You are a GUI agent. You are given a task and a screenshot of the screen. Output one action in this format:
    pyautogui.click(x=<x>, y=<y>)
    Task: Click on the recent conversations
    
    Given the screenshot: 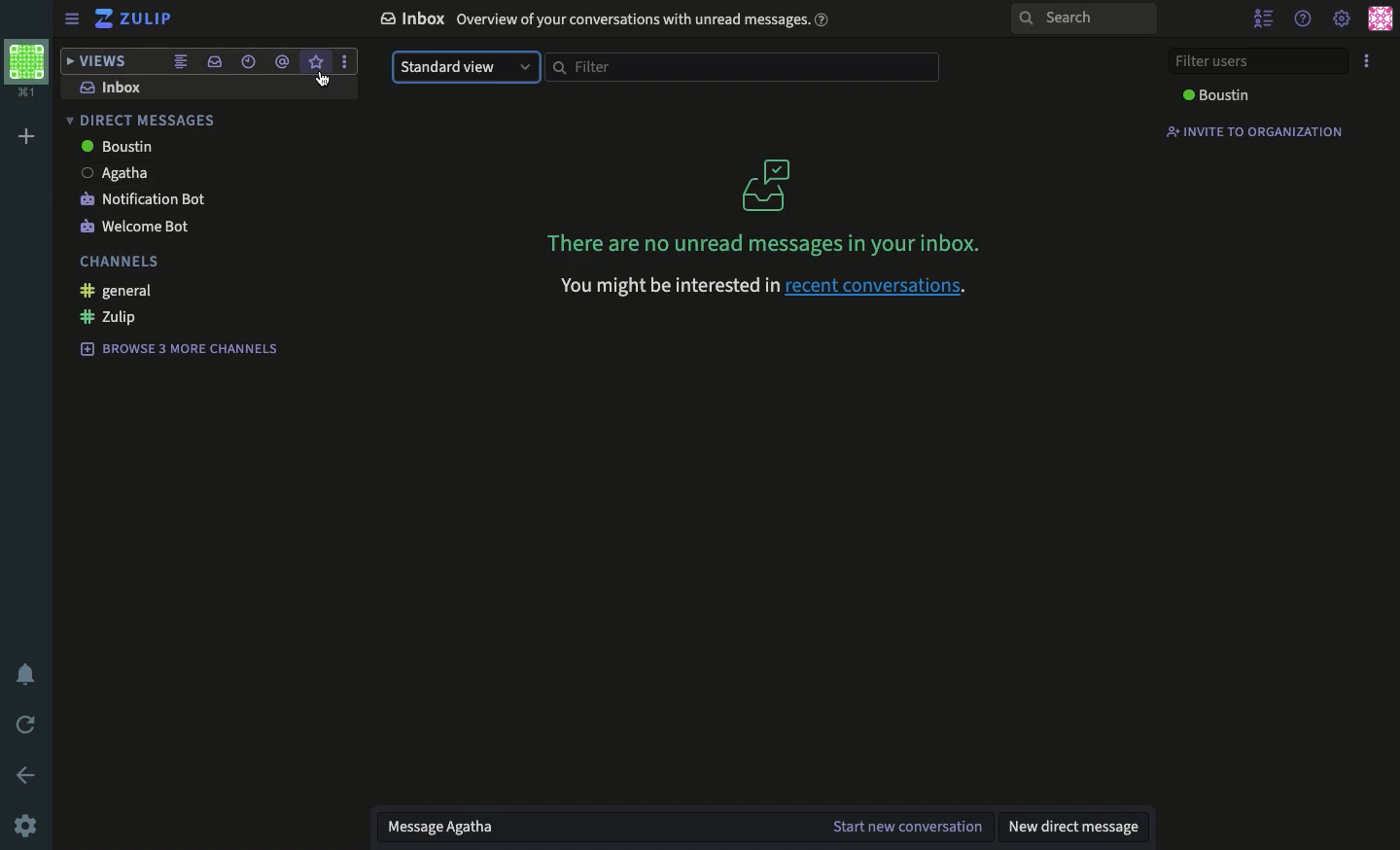 What is the action you would take?
    pyautogui.click(x=248, y=62)
    